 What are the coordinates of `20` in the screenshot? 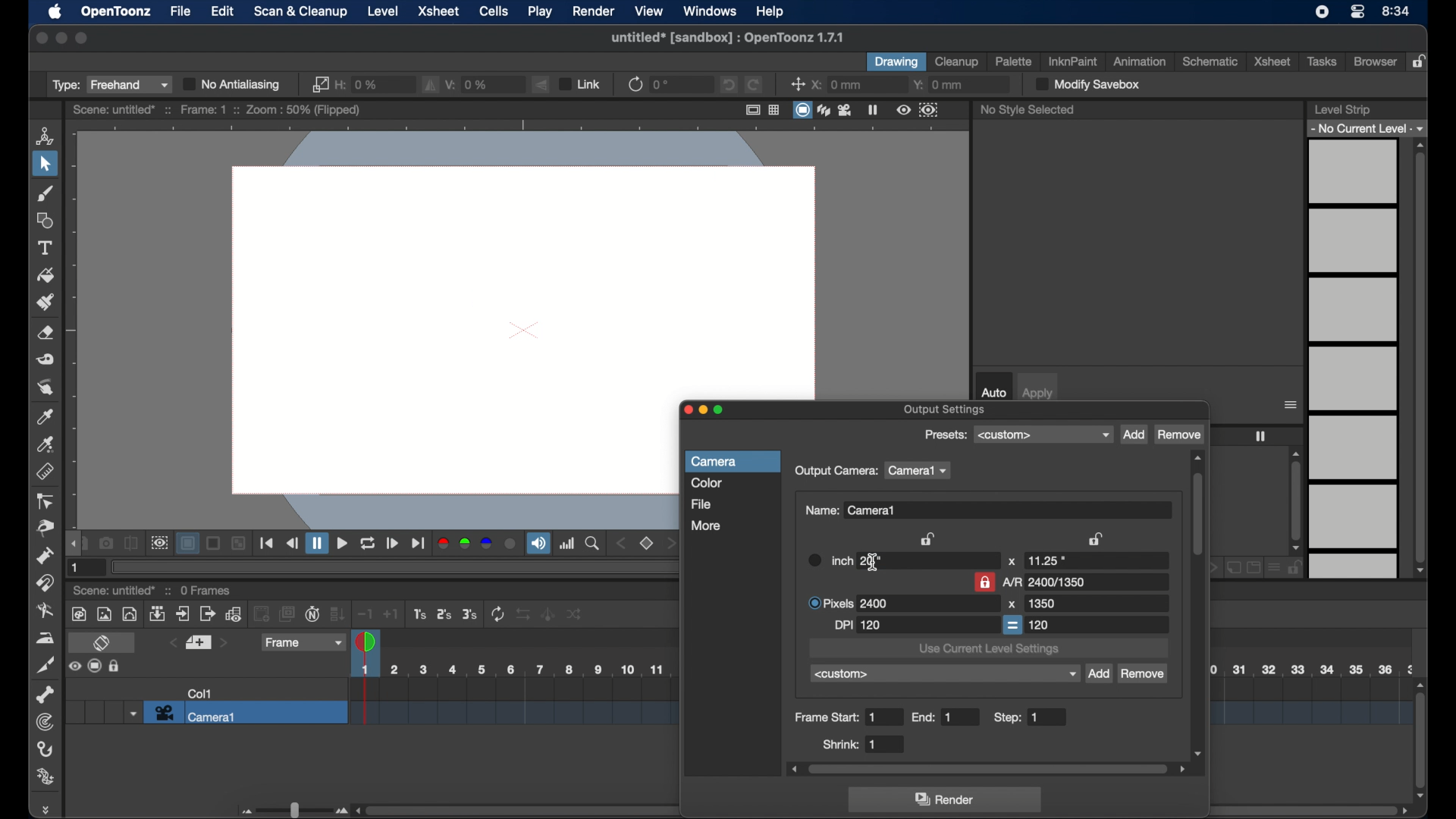 It's located at (870, 560).